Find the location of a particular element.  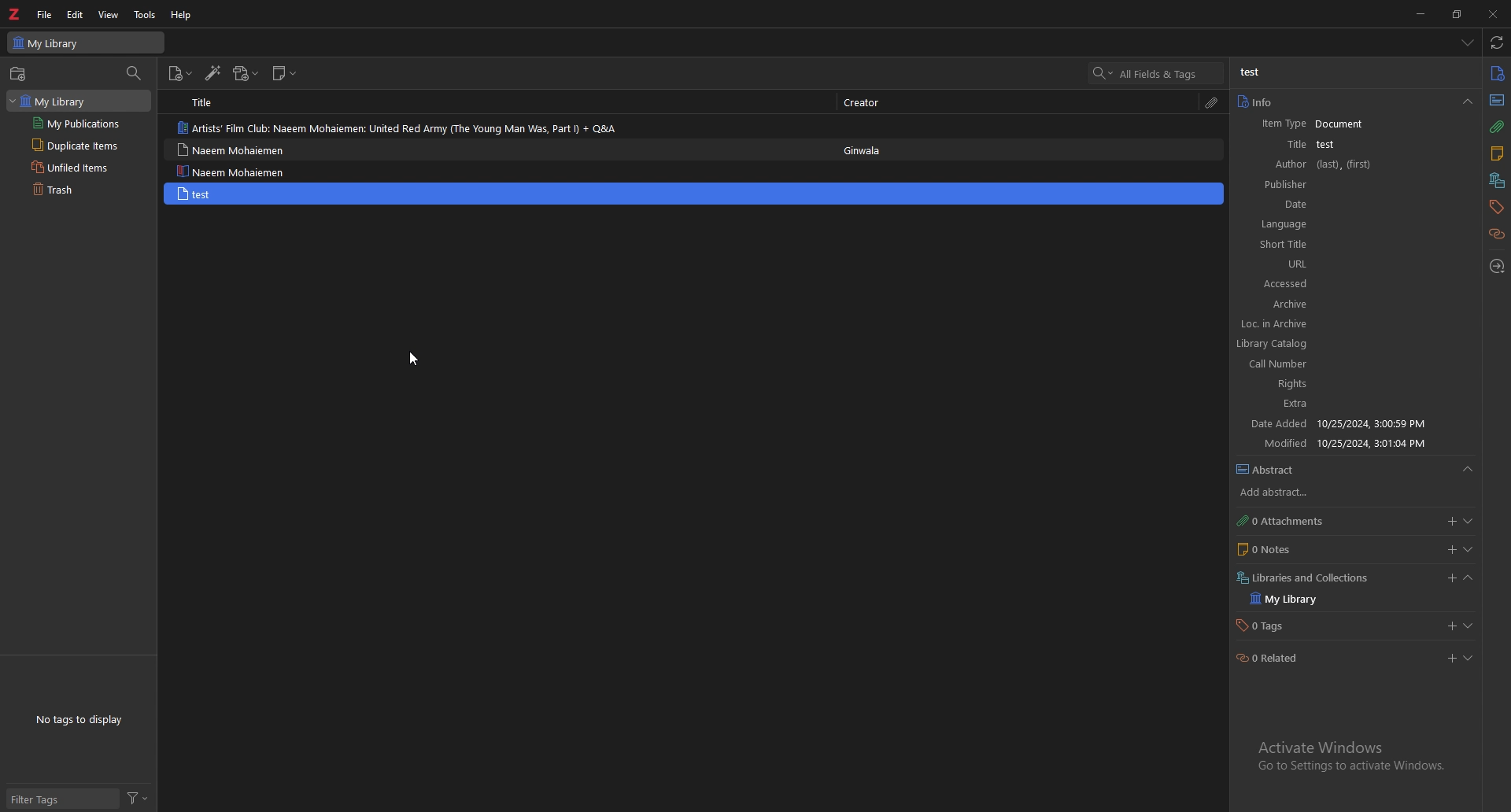

date input is located at coordinates (1373, 206).